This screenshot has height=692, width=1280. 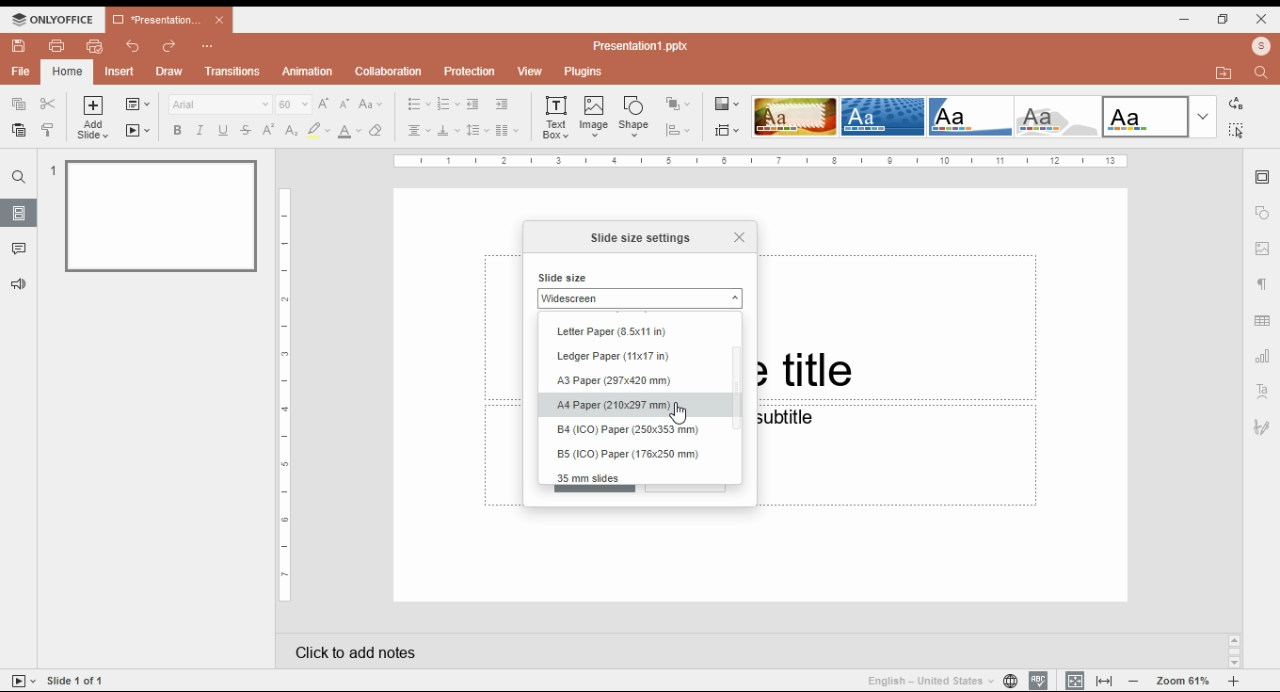 What do you see at coordinates (289, 130) in the screenshot?
I see `subscript` at bounding box center [289, 130].